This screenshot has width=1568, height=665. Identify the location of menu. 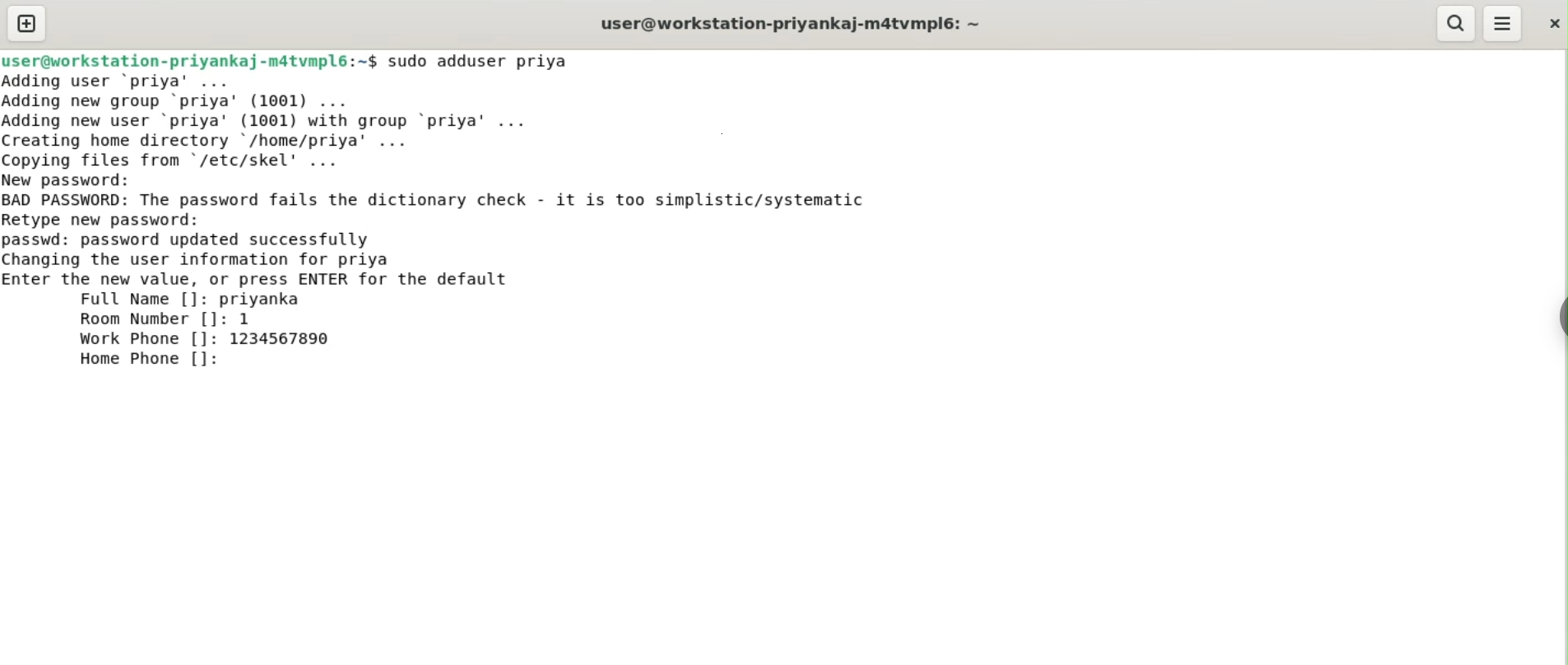
(1503, 24).